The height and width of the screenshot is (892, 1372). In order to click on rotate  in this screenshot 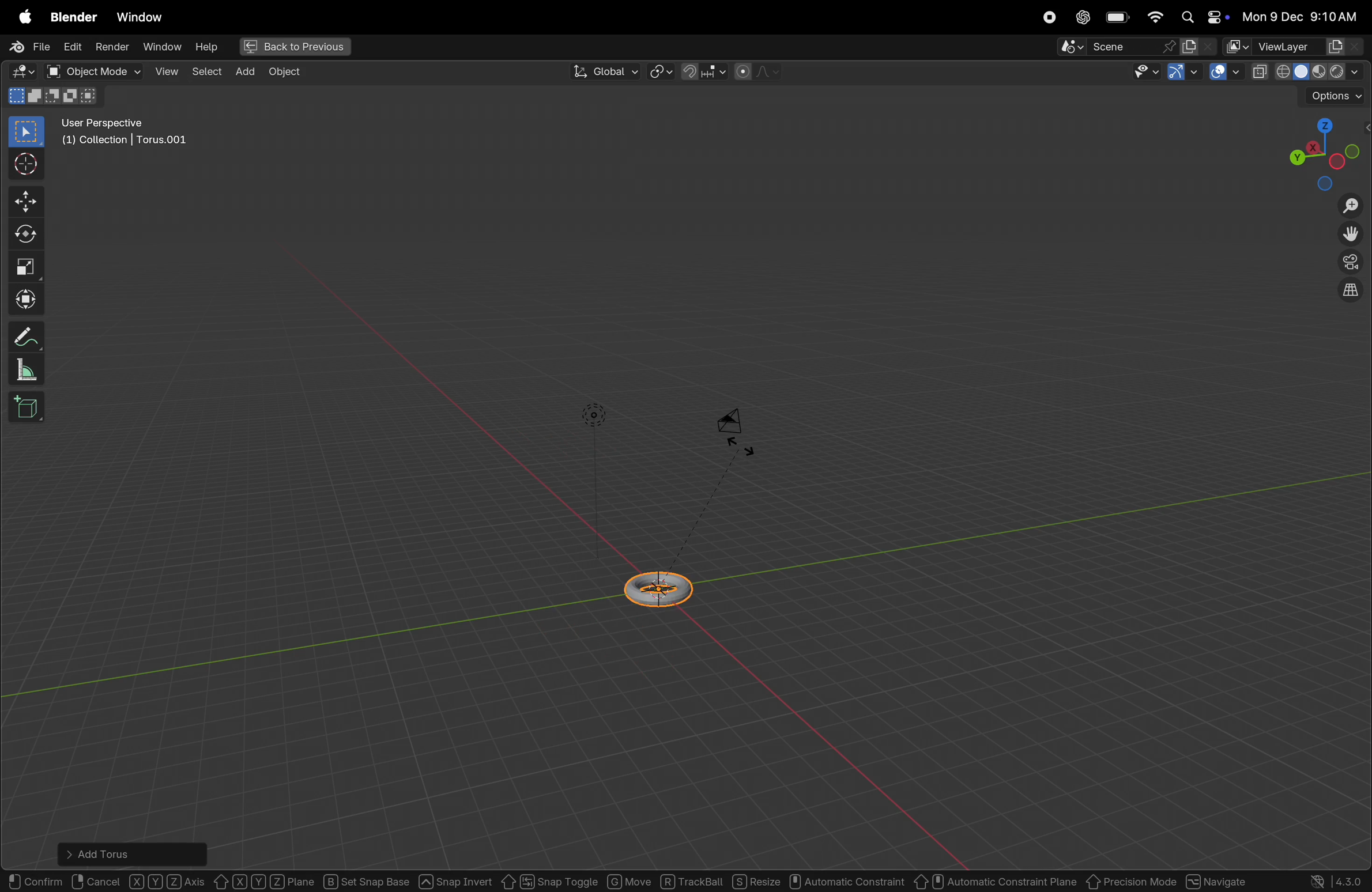, I will do `click(29, 232)`.